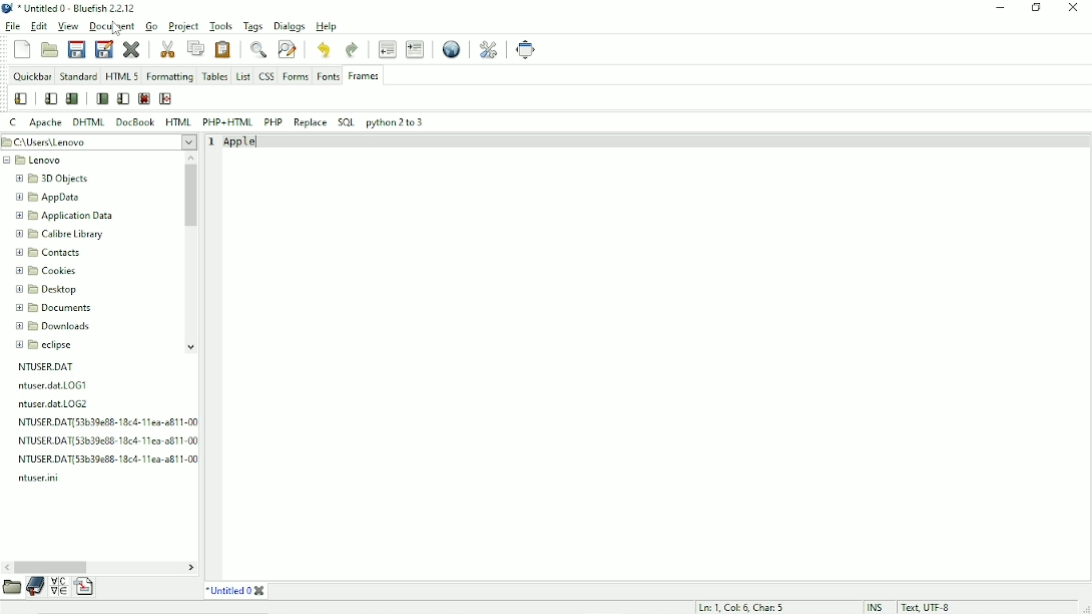 This screenshot has width=1092, height=614. I want to click on INS, so click(873, 606).